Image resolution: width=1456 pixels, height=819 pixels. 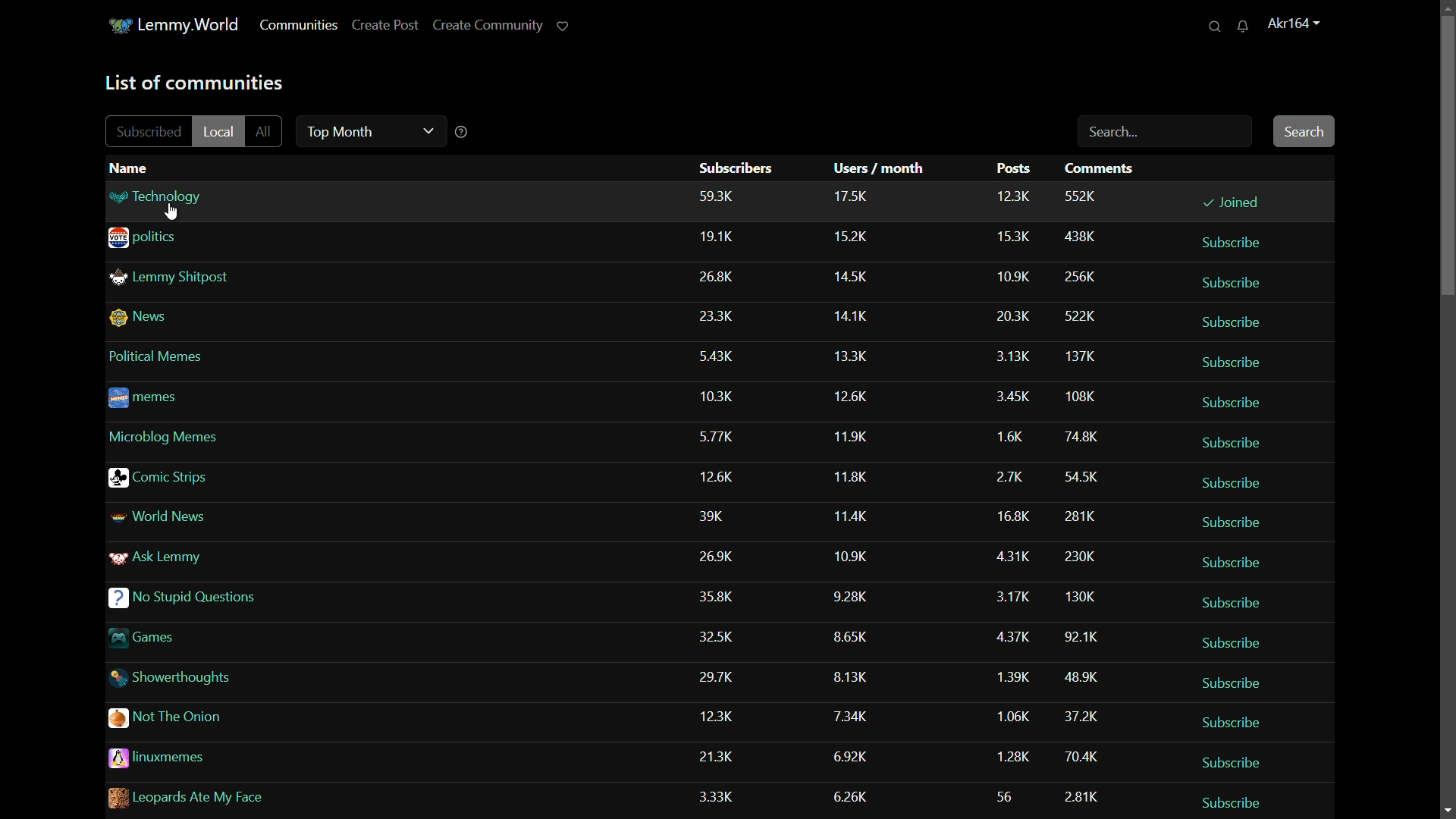 What do you see at coordinates (565, 24) in the screenshot?
I see `support lemmy` at bounding box center [565, 24].